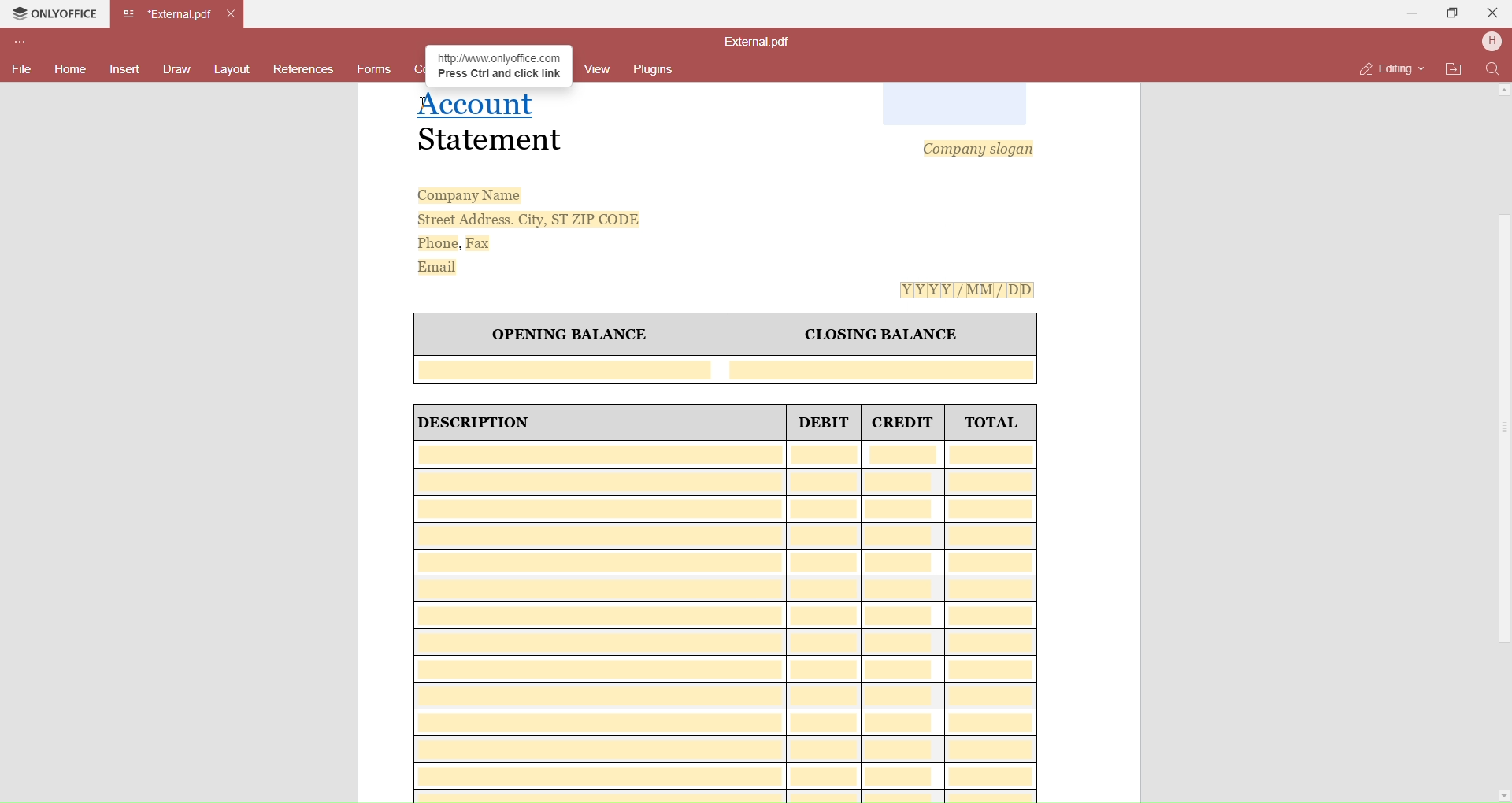 This screenshot has height=803, width=1512. What do you see at coordinates (303, 72) in the screenshot?
I see `References` at bounding box center [303, 72].